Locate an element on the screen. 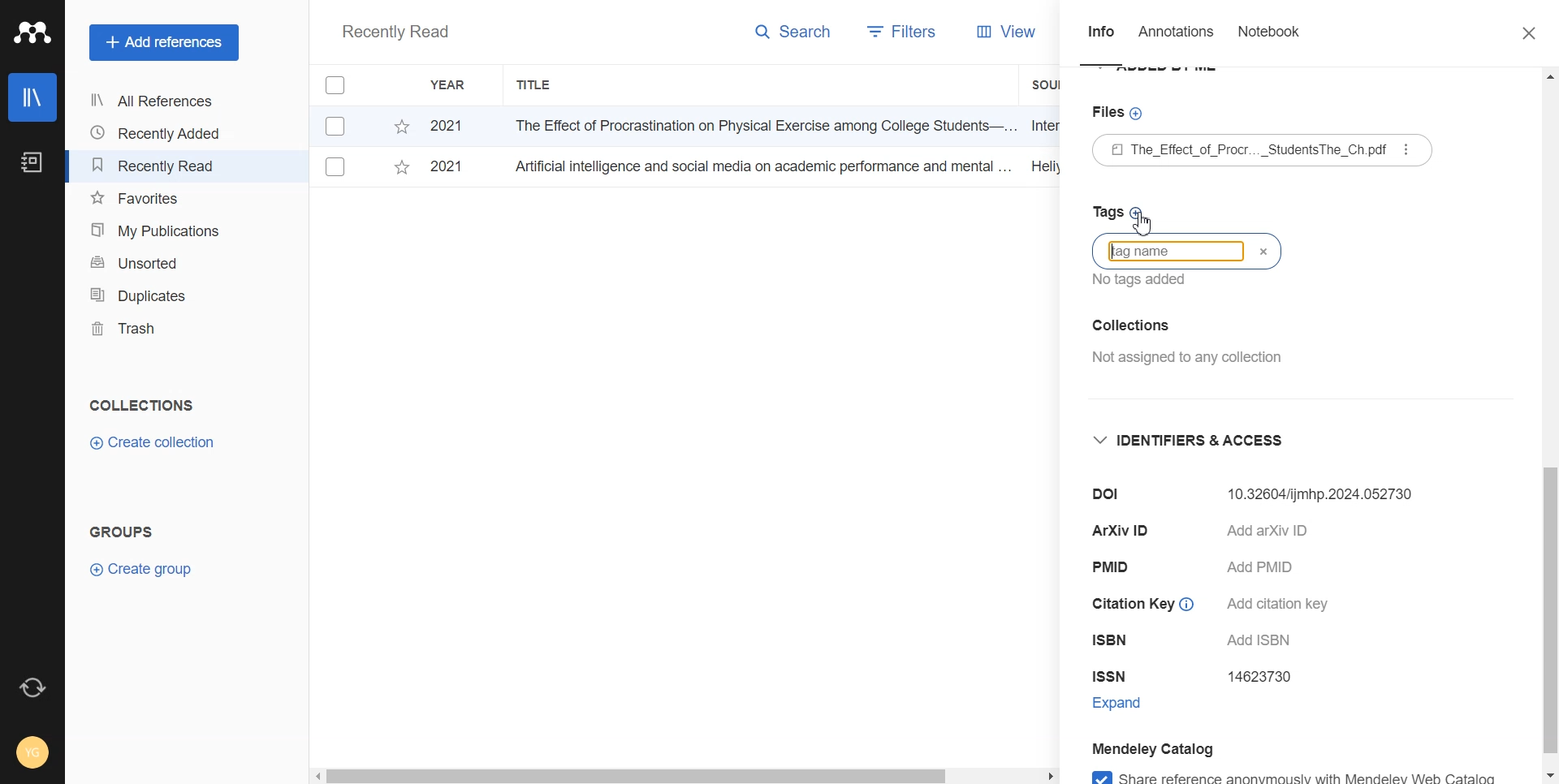 The image size is (1559, 784). View is located at coordinates (1007, 32).